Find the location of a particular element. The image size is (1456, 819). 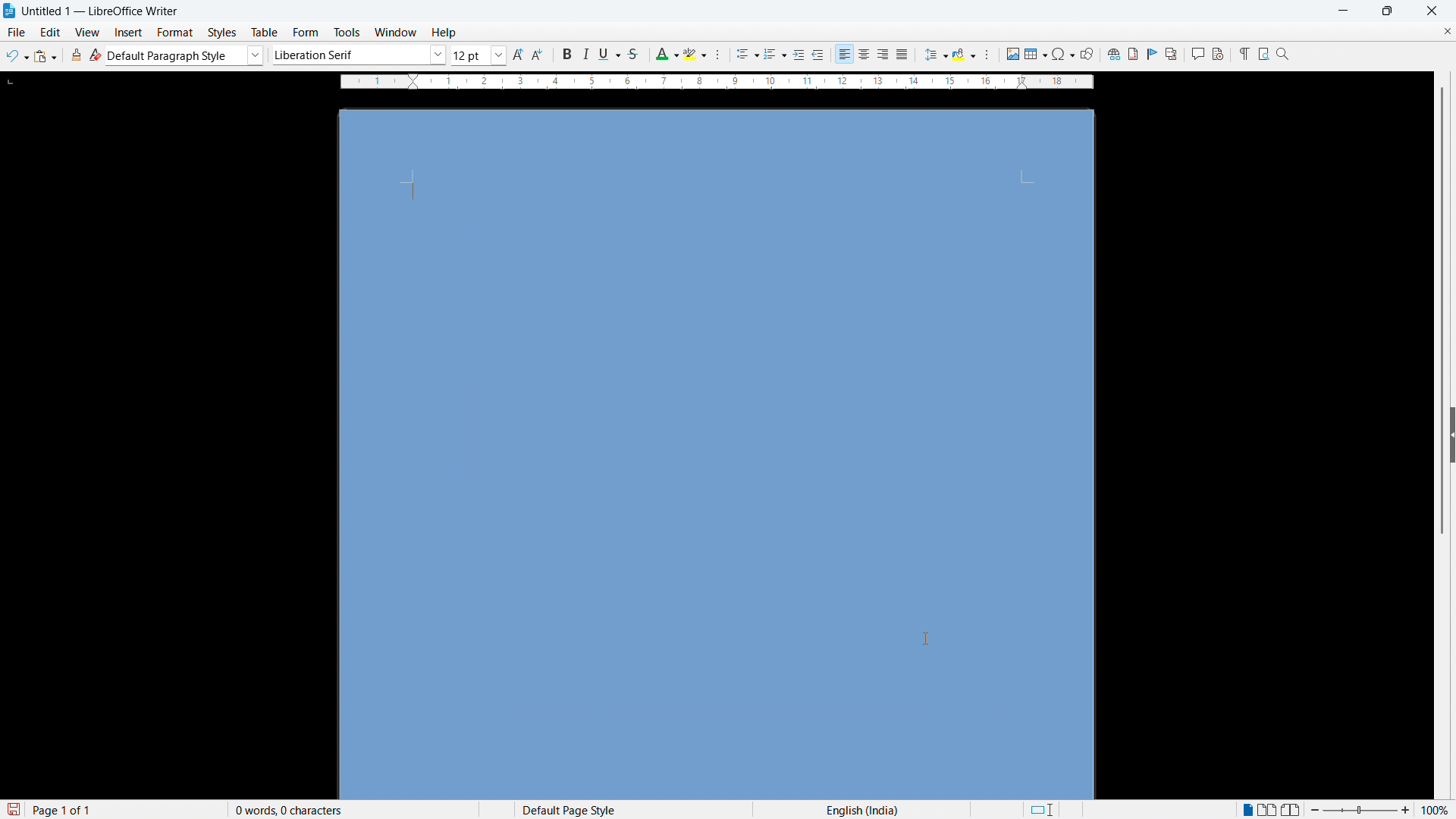

Increase indent  is located at coordinates (799, 55).